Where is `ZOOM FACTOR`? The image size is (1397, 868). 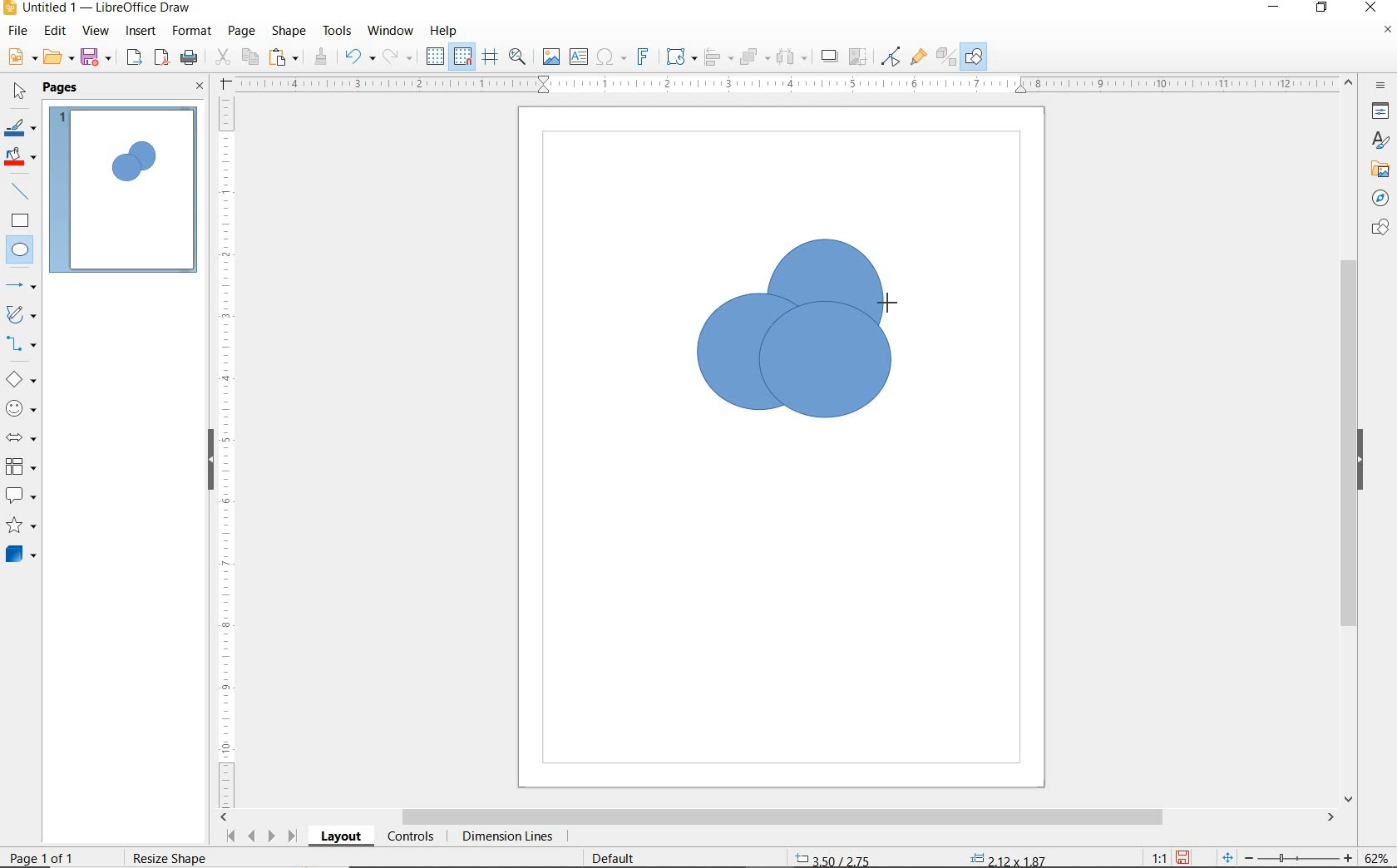 ZOOM FACTOR is located at coordinates (1377, 855).